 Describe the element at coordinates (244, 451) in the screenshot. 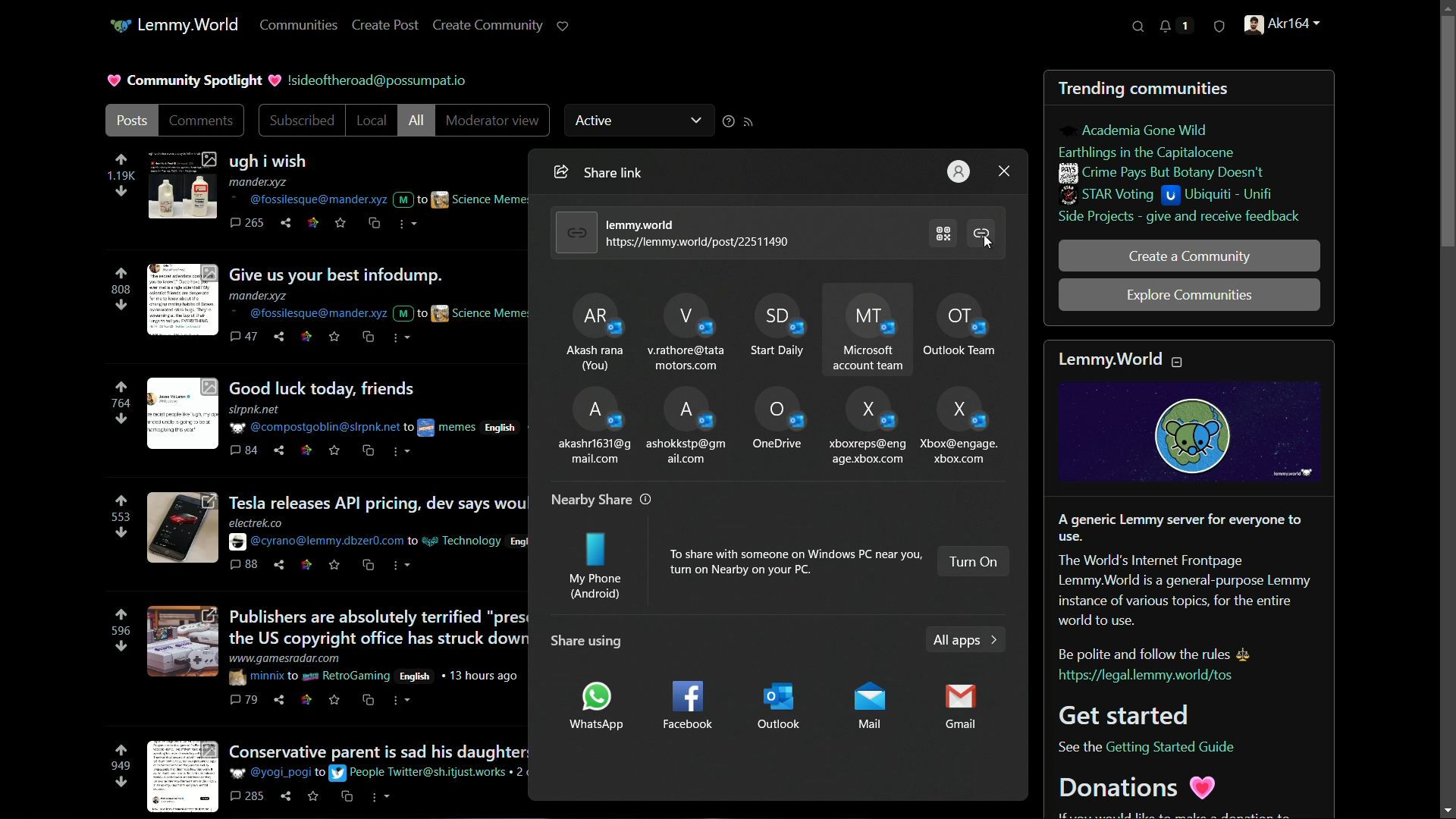

I see `84 comments` at that location.